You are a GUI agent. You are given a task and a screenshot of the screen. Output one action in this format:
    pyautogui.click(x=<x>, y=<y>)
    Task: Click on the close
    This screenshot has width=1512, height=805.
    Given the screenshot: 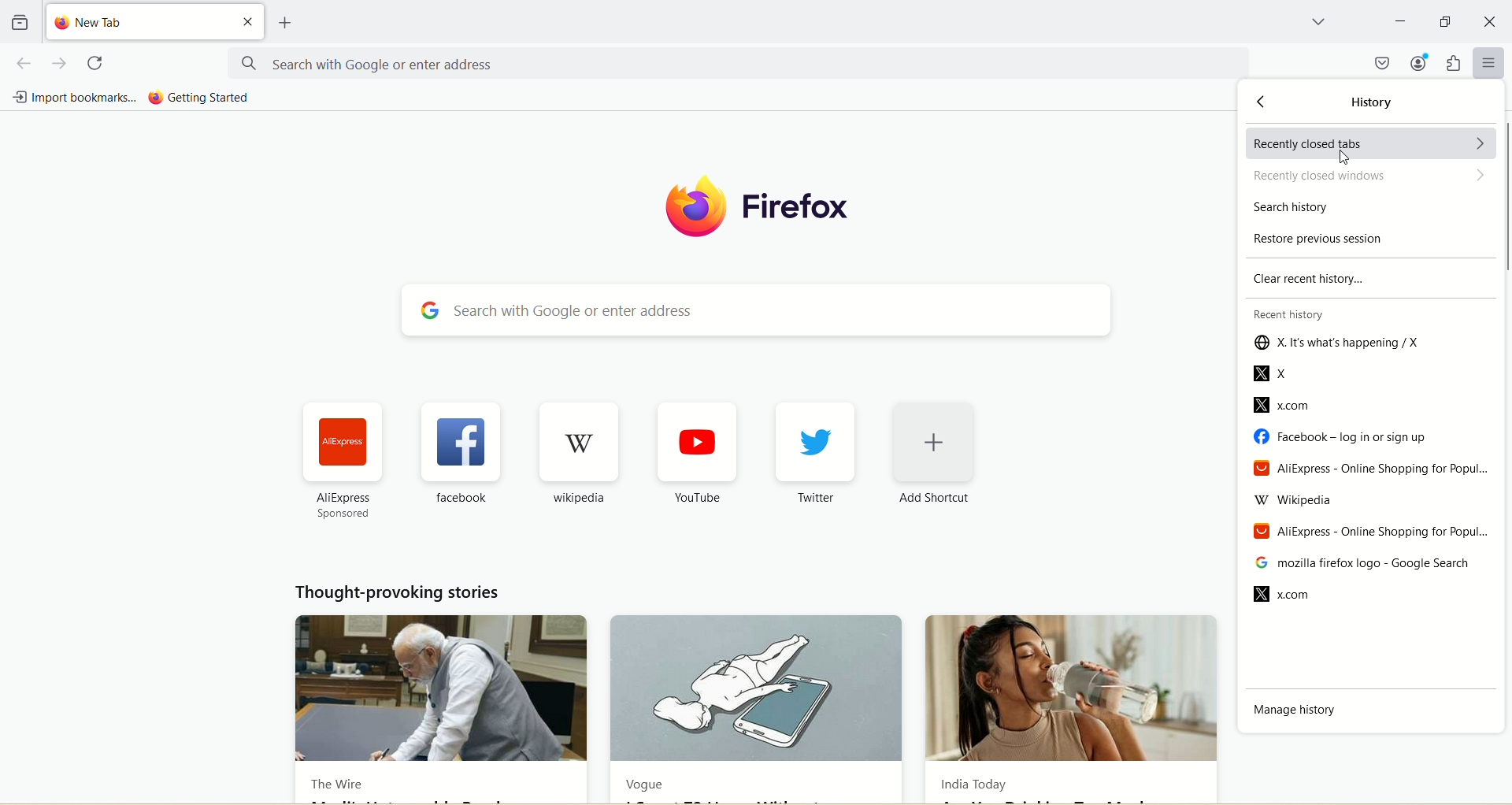 What is the action you would take?
    pyautogui.click(x=1489, y=20)
    